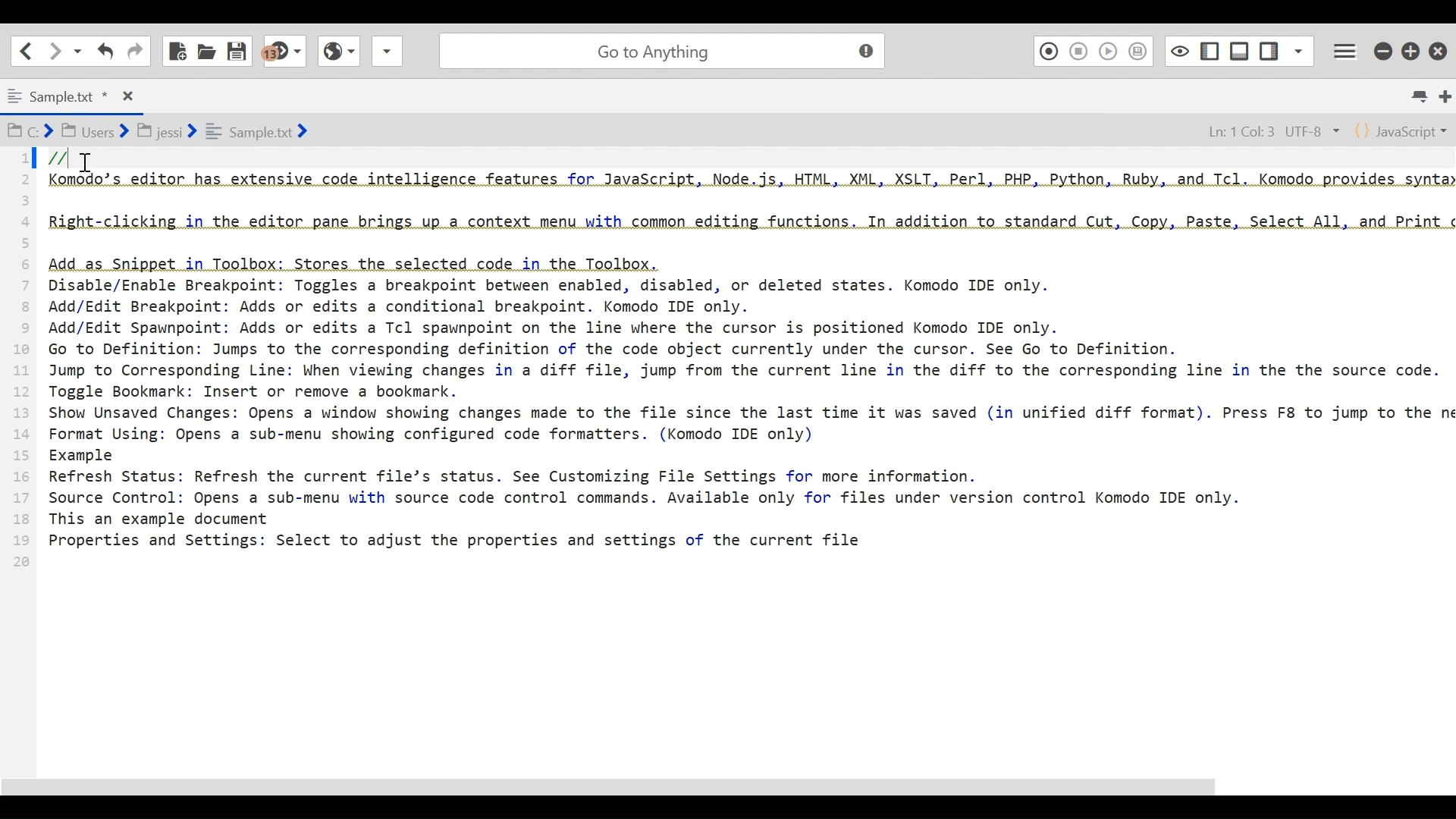 The image size is (1456, 819). Describe the element at coordinates (178, 49) in the screenshot. I see `New File` at that location.